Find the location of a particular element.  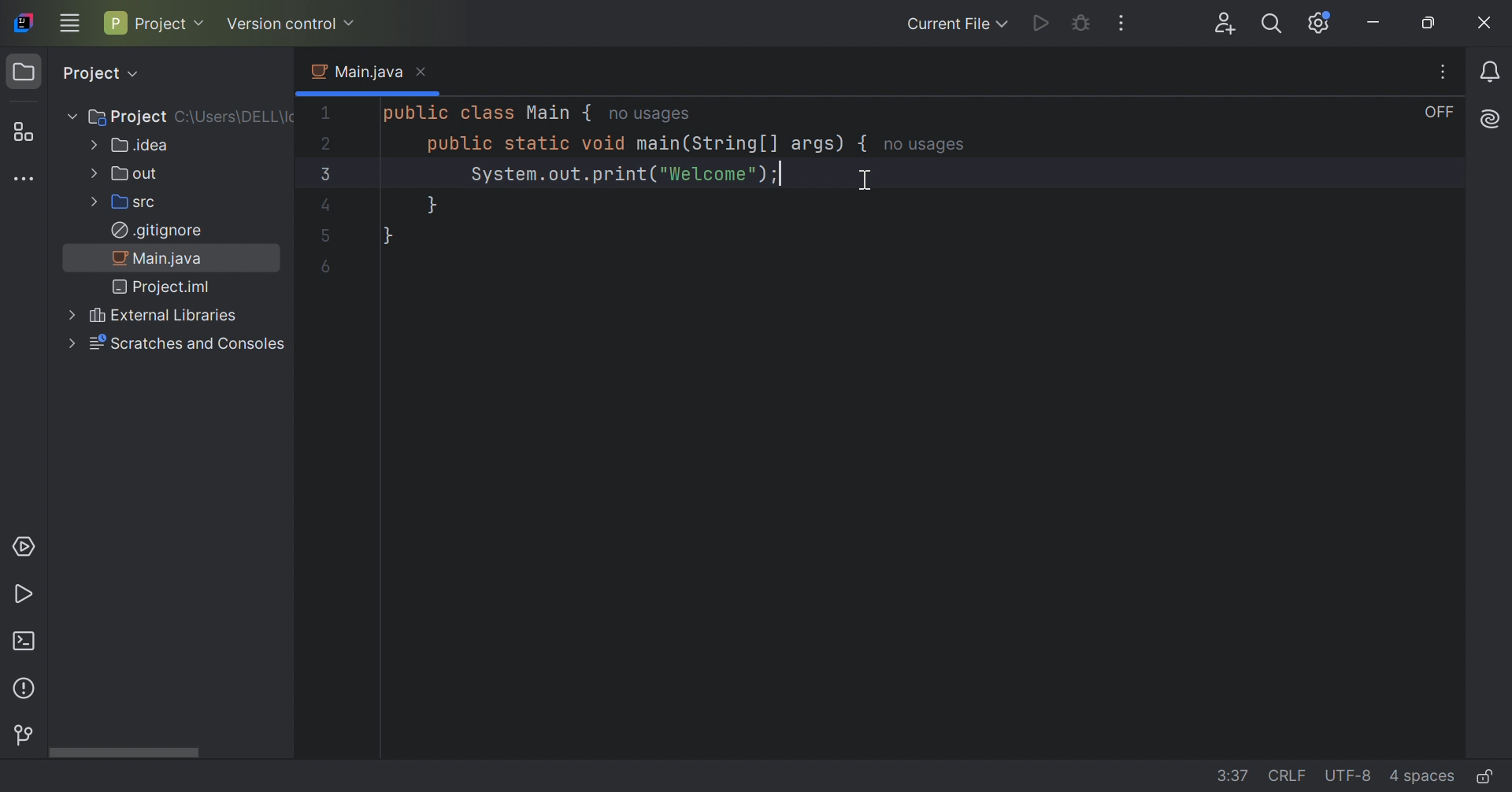

Updates available. IDE and Project Settings. is located at coordinates (1318, 25).